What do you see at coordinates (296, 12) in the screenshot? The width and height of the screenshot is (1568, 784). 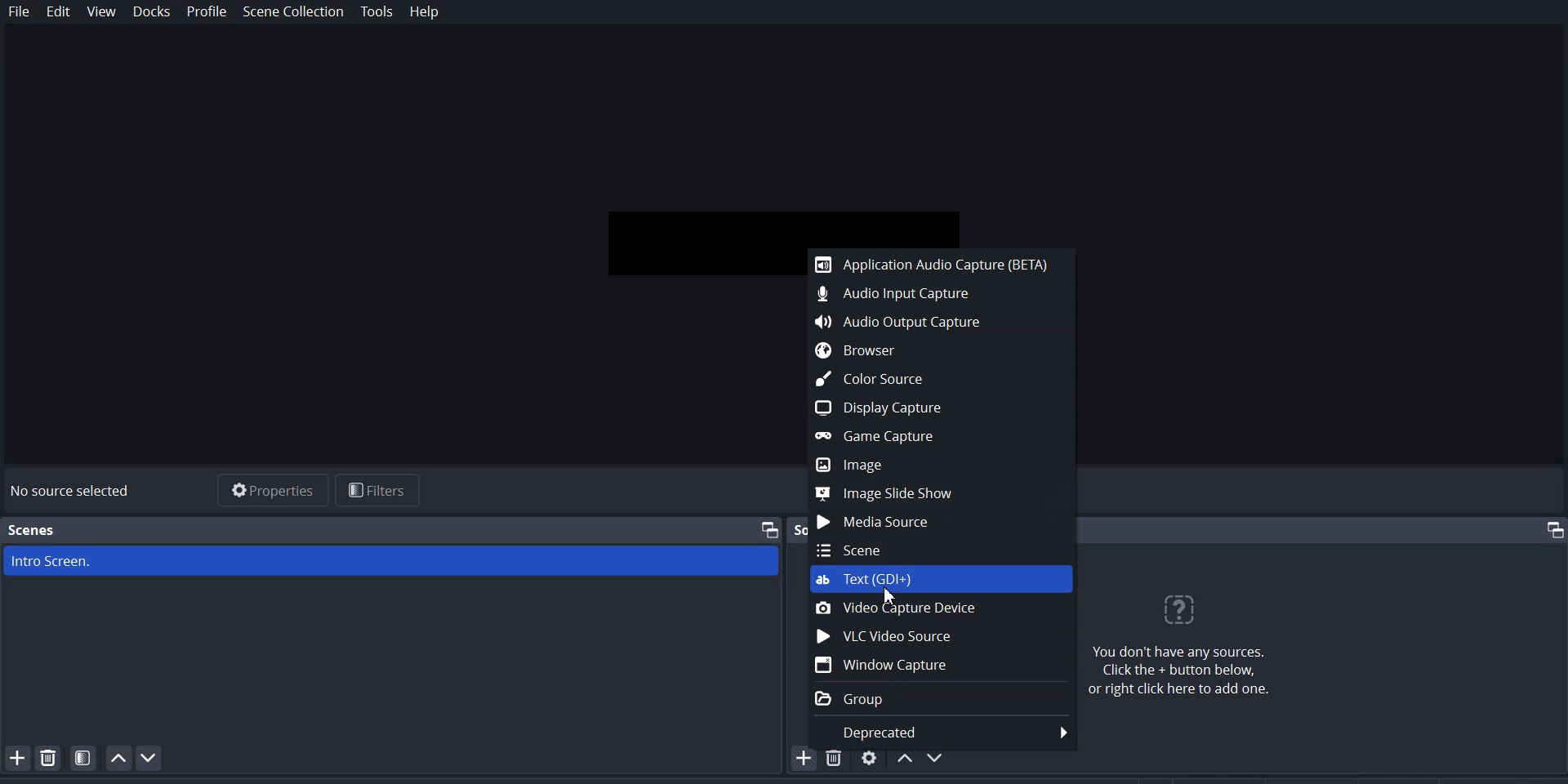 I see `Scene collection` at bounding box center [296, 12].